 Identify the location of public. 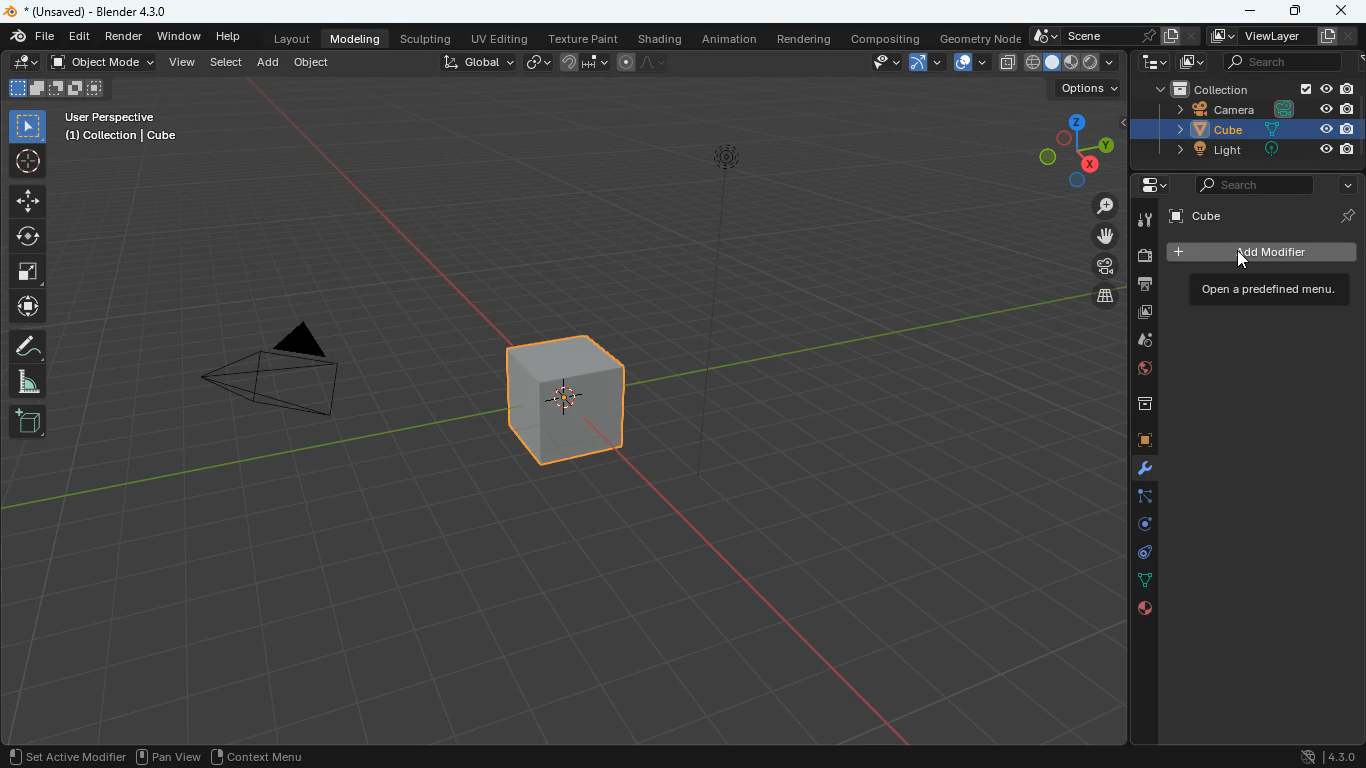
(1145, 609).